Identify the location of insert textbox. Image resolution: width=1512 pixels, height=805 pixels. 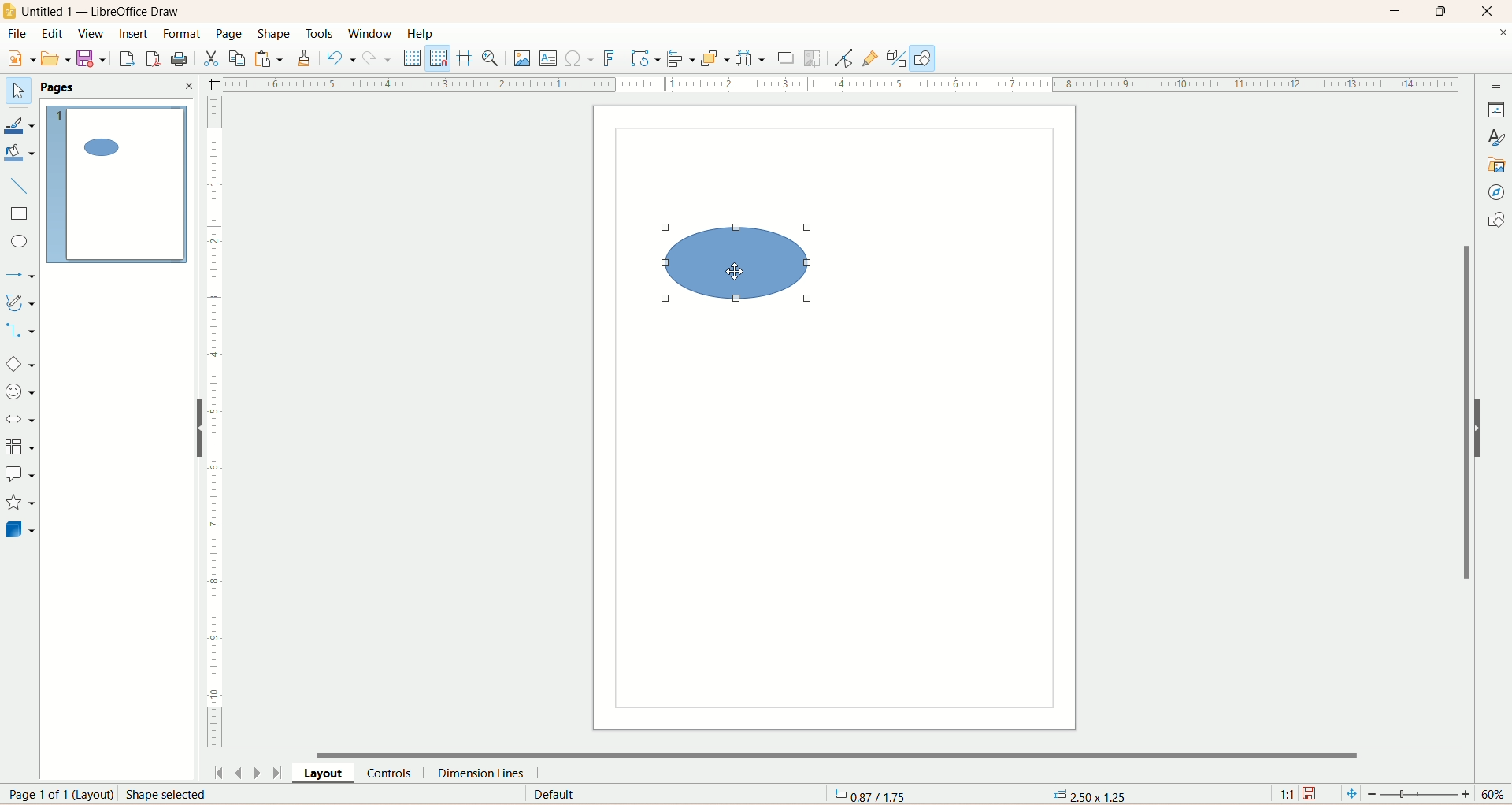
(547, 58).